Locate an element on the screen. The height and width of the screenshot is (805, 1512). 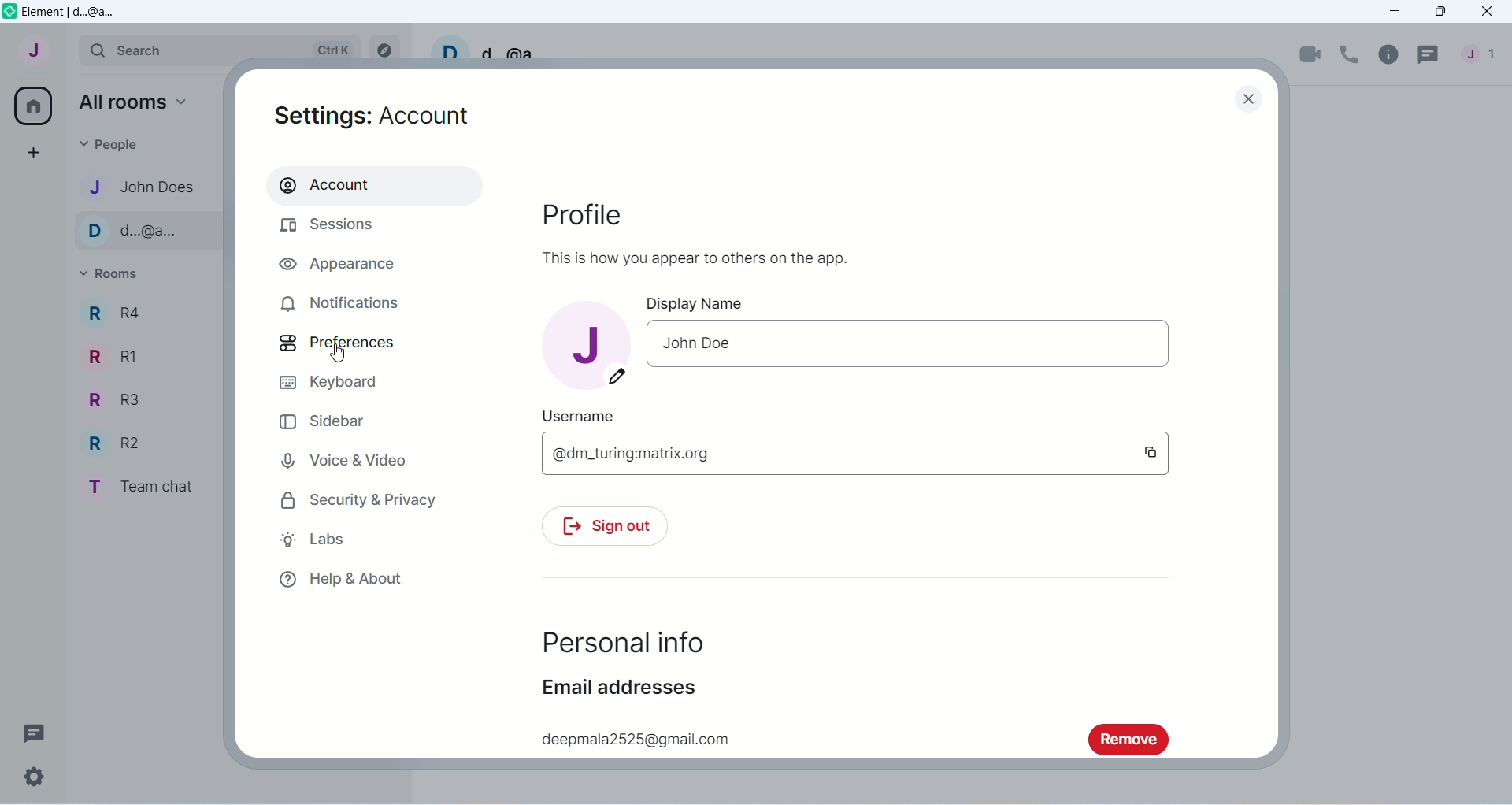
Appearance is located at coordinates (342, 263).